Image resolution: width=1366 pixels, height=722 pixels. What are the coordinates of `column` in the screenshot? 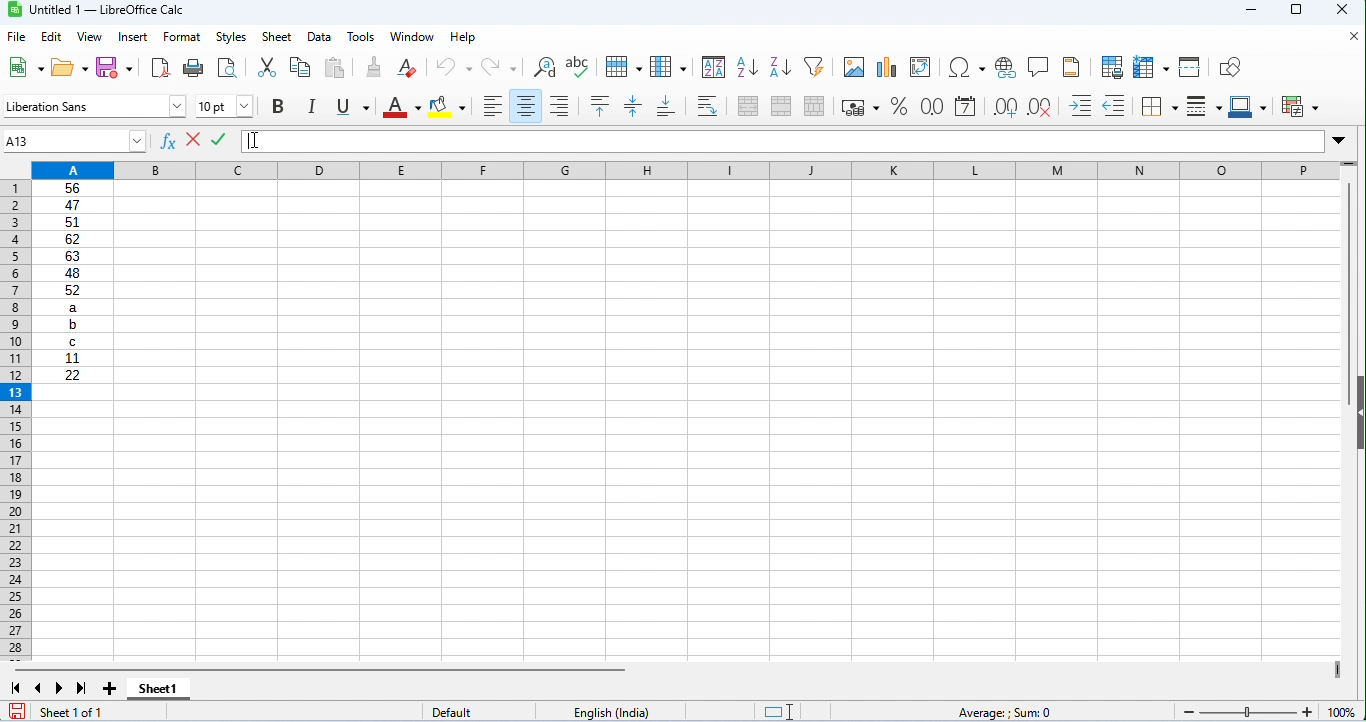 It's located at (668, 65).